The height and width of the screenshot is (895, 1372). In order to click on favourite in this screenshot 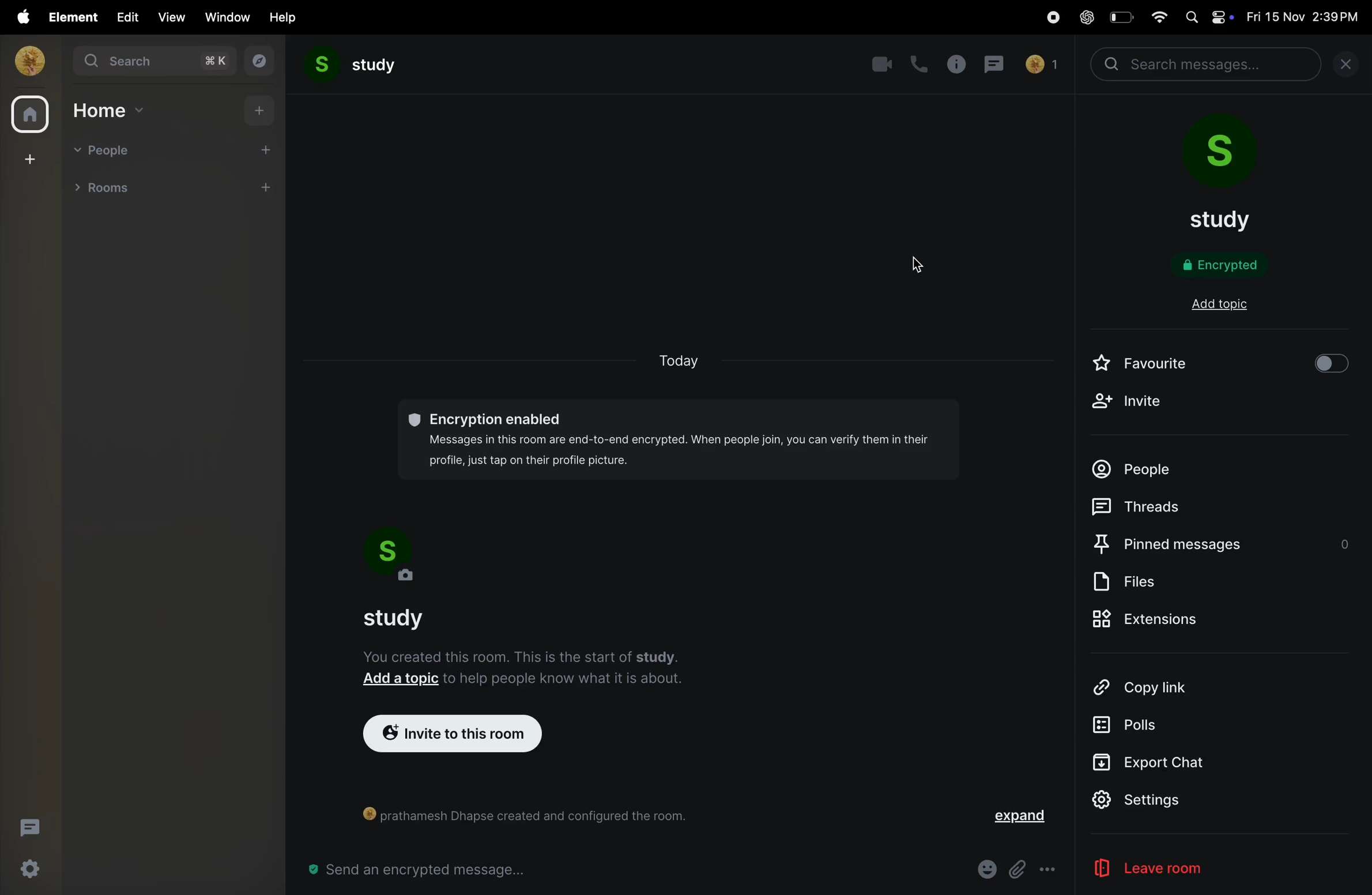, I will do `click(1141, 363)`.